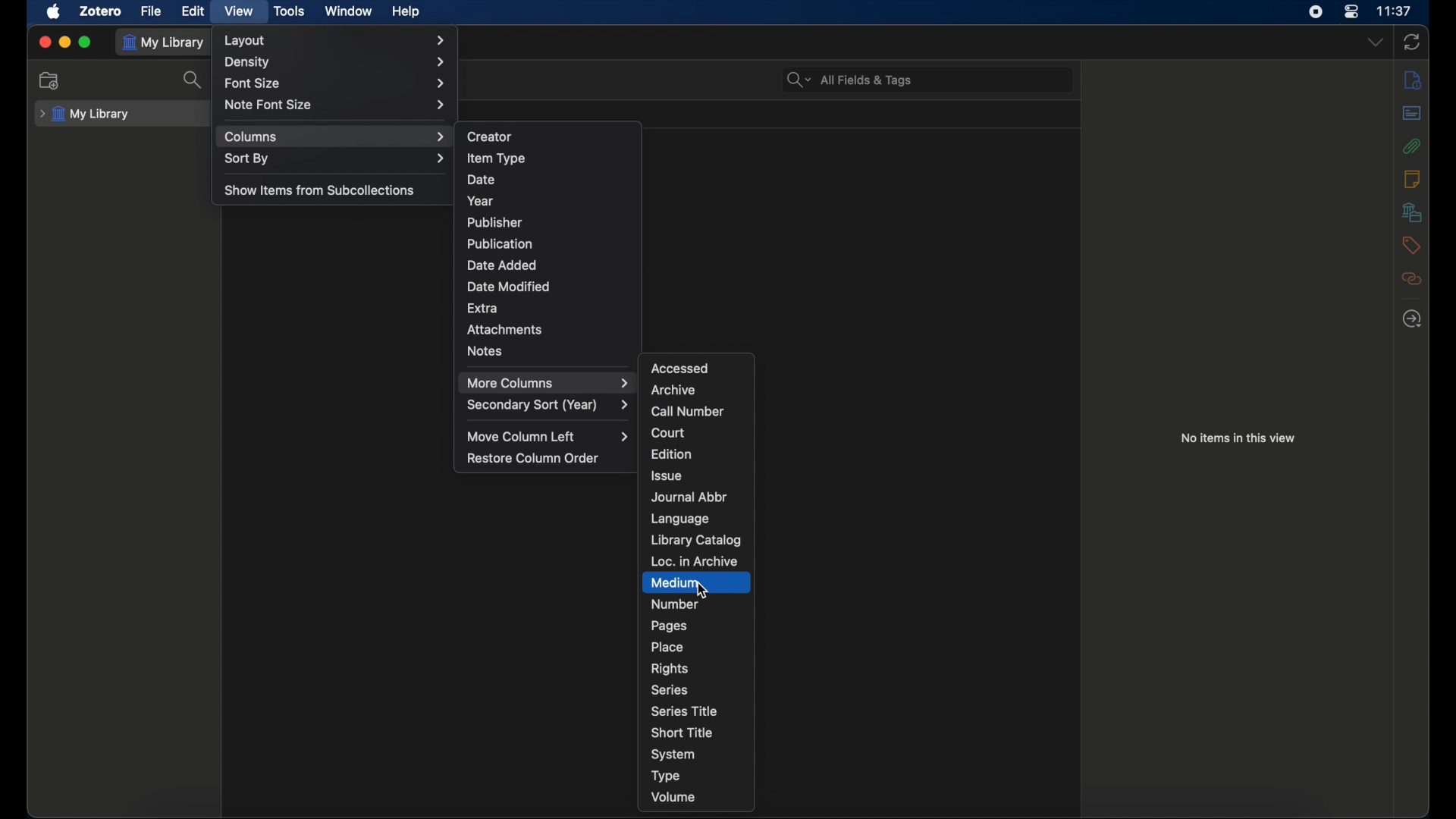  What do you see at coordinates (290, 11) in the screenshot?
I see `tools` at bounding box center [290, 11].